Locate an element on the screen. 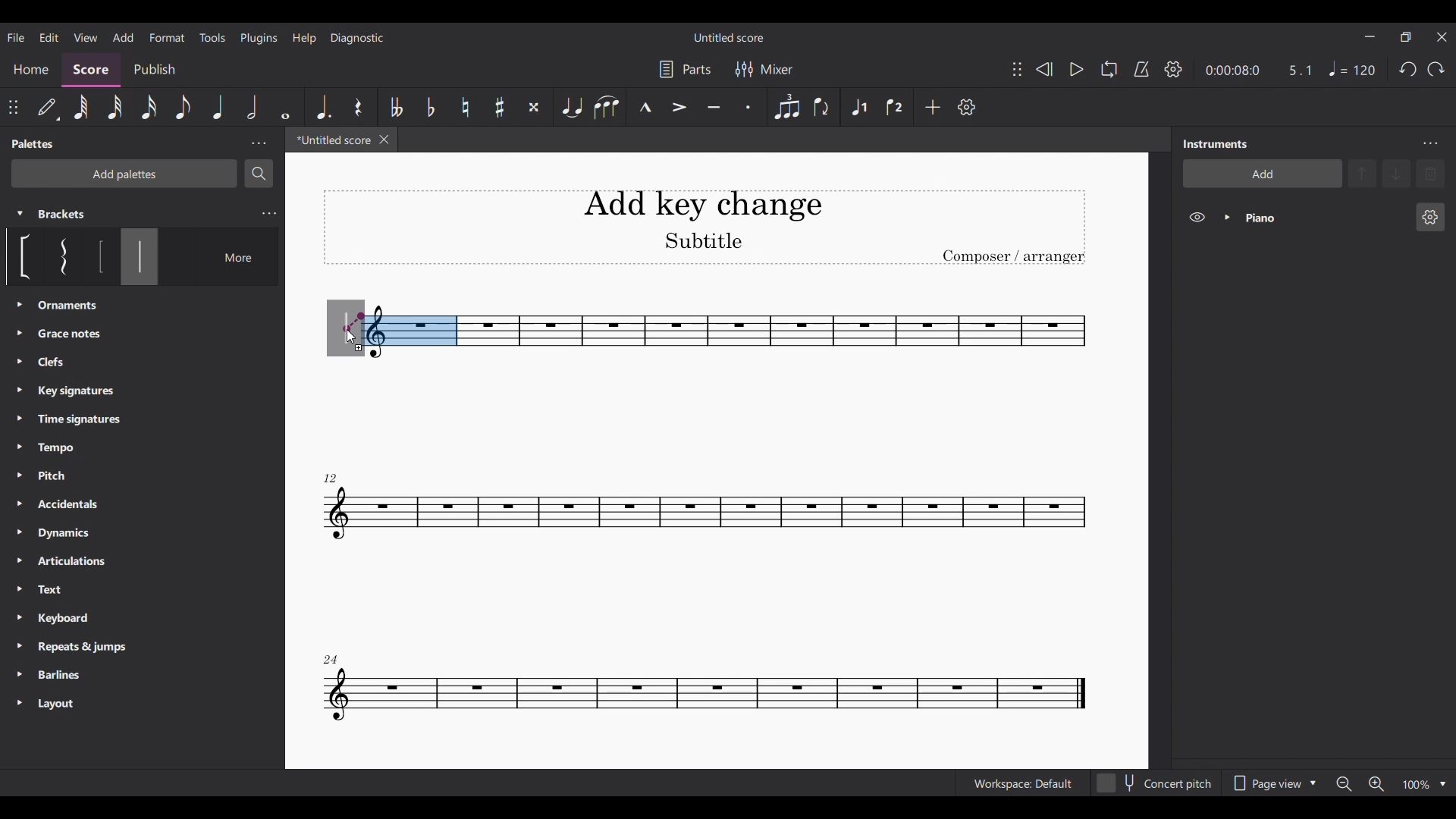  Rewind is located at coordinates (1043, 68).